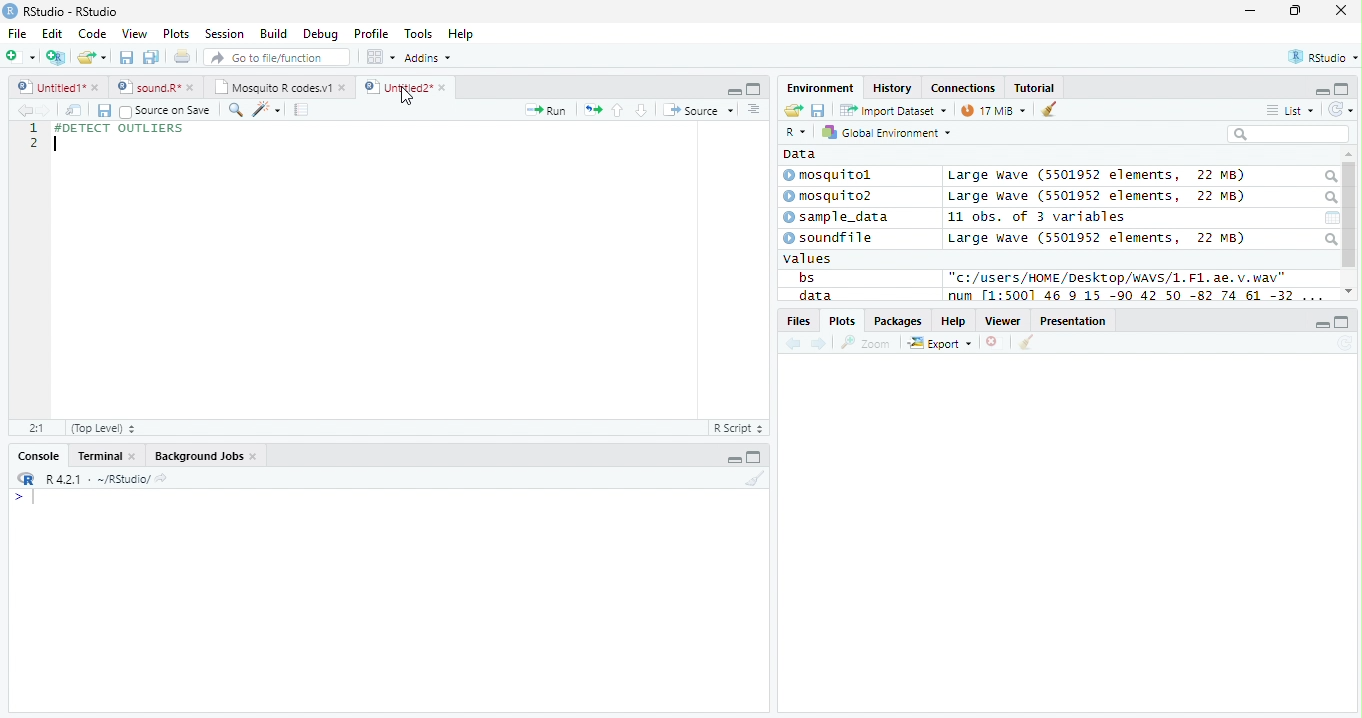  Describe the element at coordinates (1118, 277) in the screenshot. I see `"c:/users/HOME /Desktop/WAVS/1.F1. ae. v.wav"` at that location.